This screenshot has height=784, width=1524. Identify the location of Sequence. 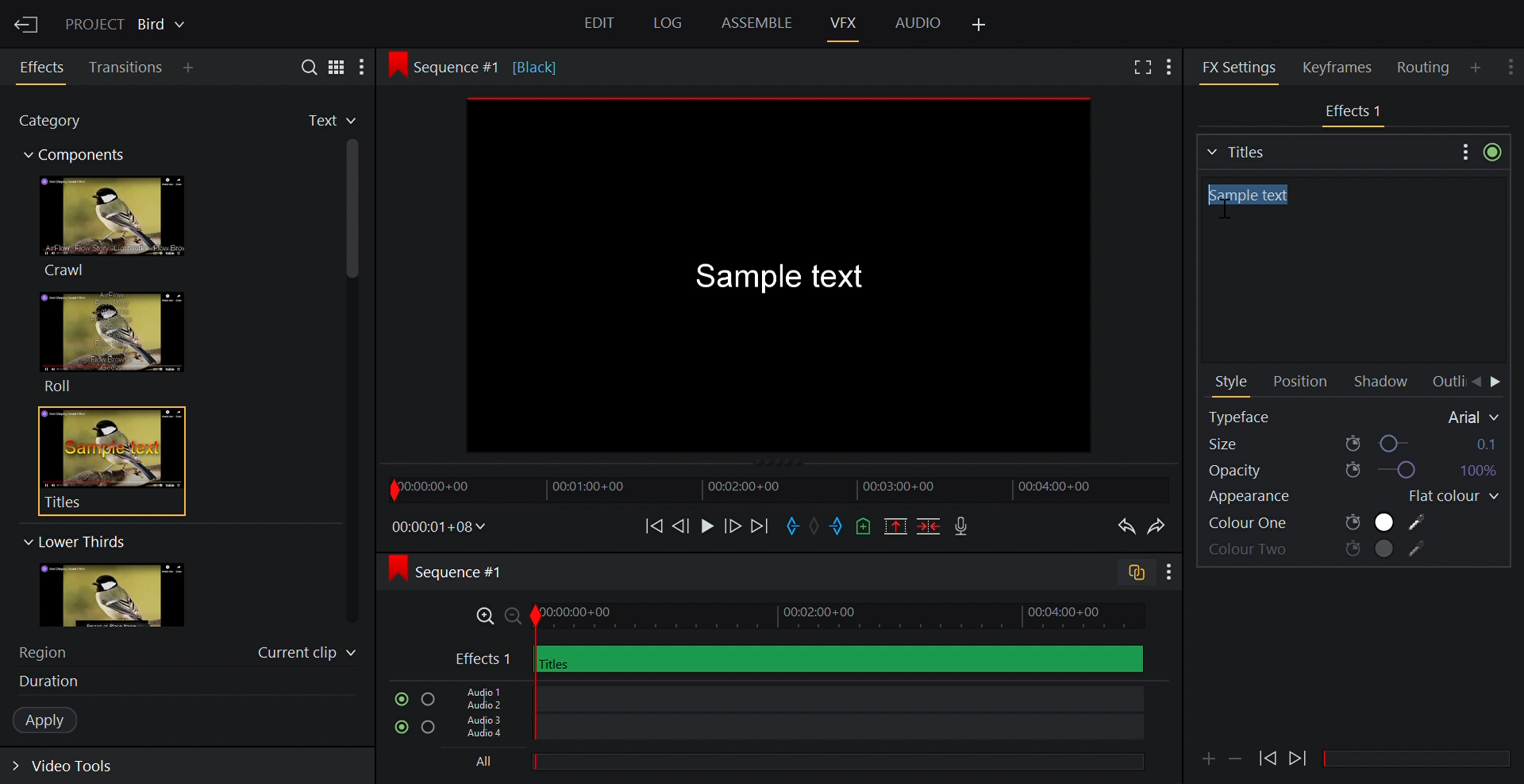
(464, 571).